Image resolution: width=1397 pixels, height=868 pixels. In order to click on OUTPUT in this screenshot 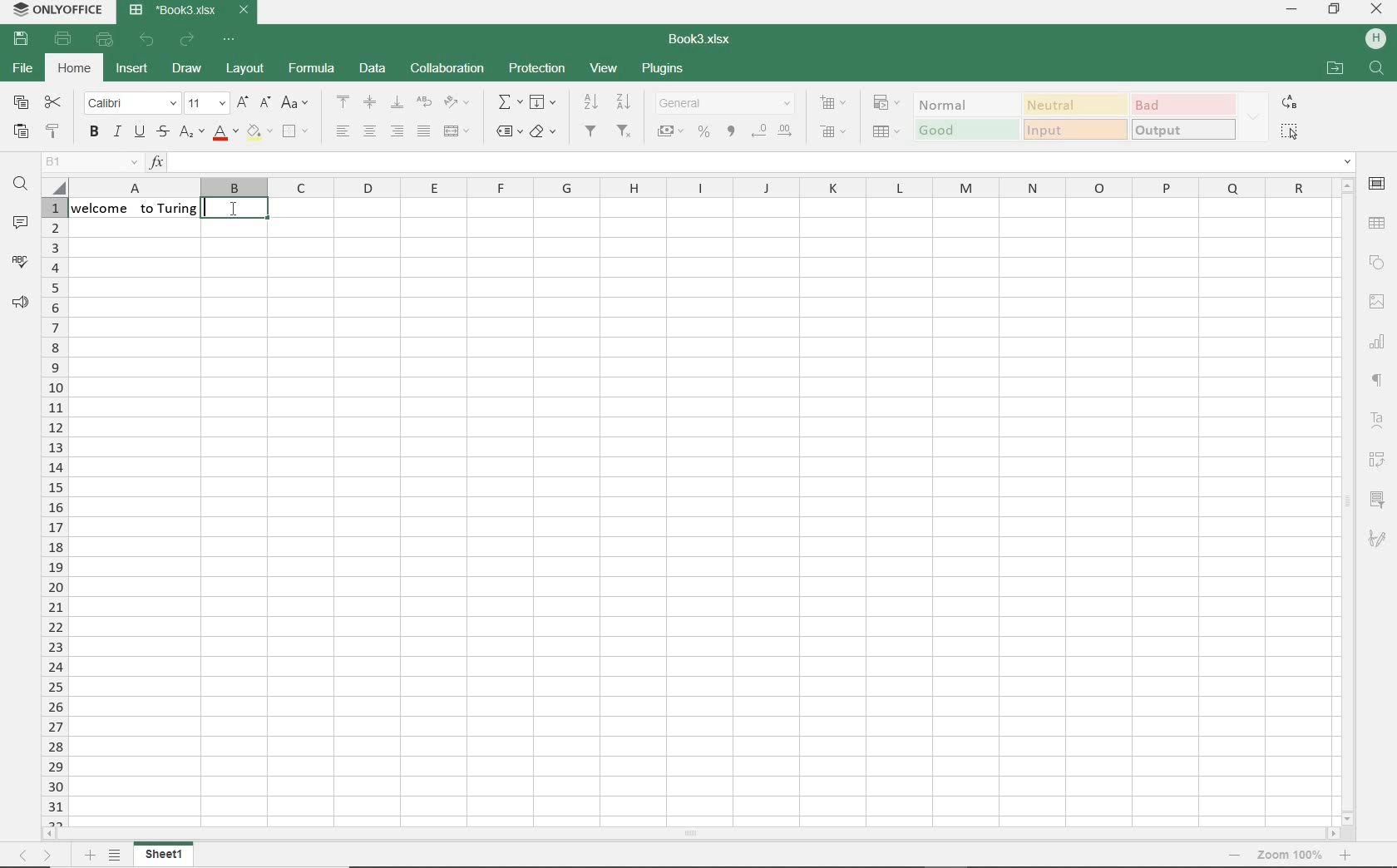, I will do `click(1182, 130)`.